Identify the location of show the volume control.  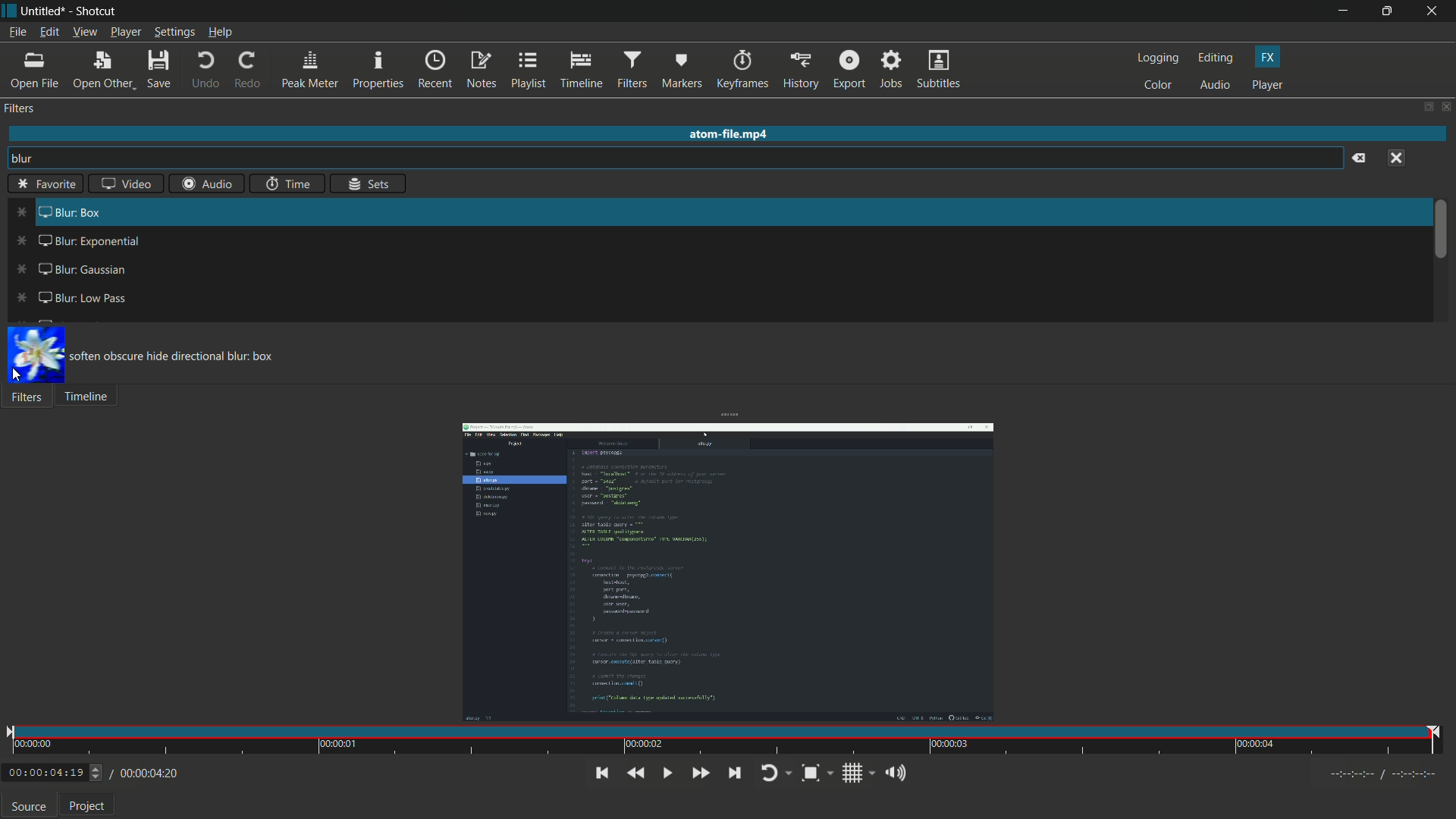
(896, 773).